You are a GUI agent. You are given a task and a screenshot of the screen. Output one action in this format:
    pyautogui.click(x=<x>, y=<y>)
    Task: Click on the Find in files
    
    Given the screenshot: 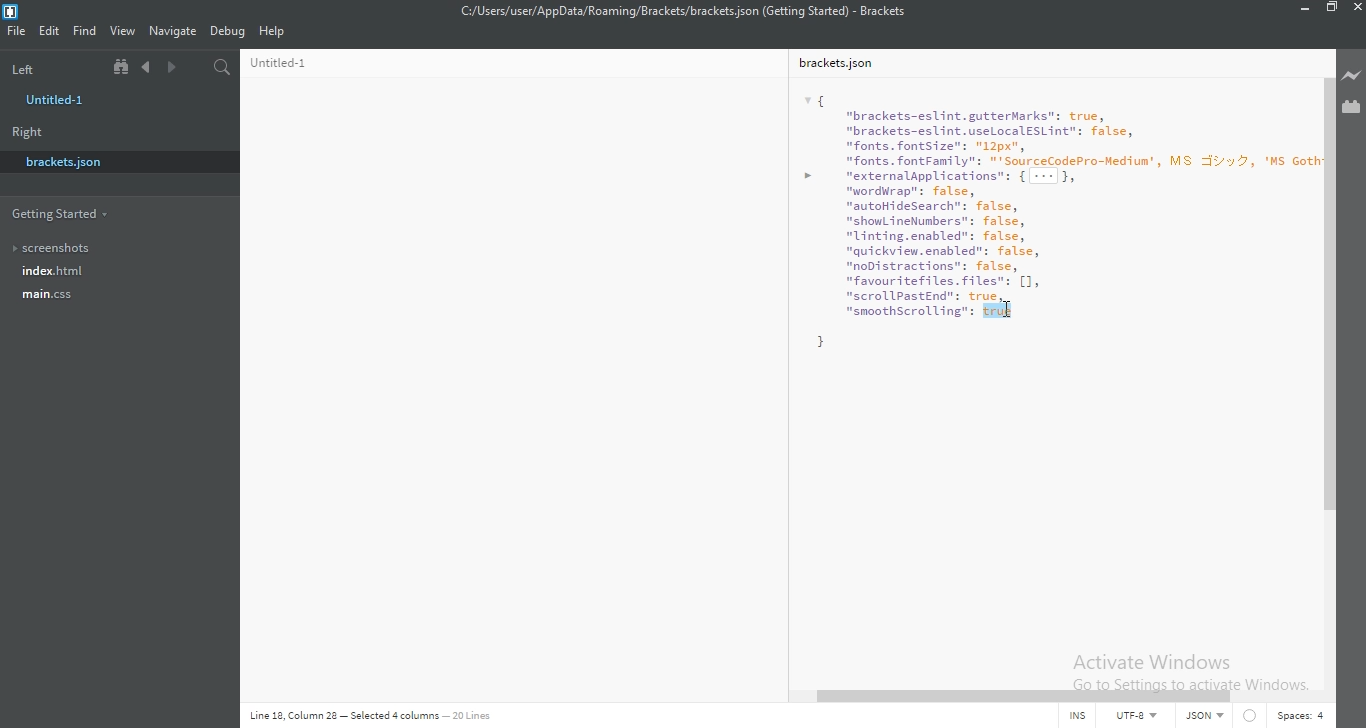 What is the action you would take?
    pyautogui.click(x=223, y=65)
    